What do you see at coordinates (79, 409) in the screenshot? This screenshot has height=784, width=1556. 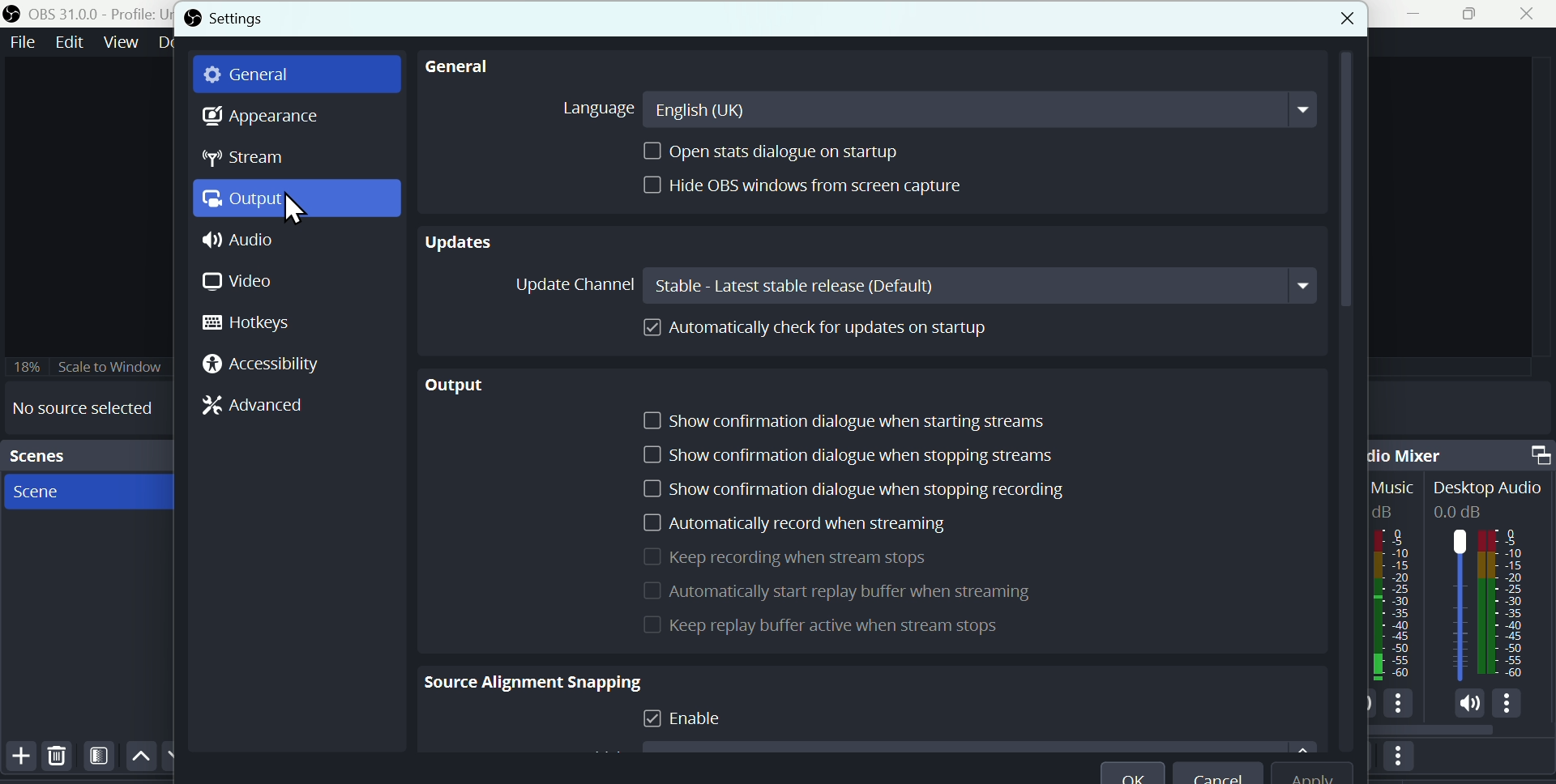 I see `No source selected` at bounding box center [79, 409].